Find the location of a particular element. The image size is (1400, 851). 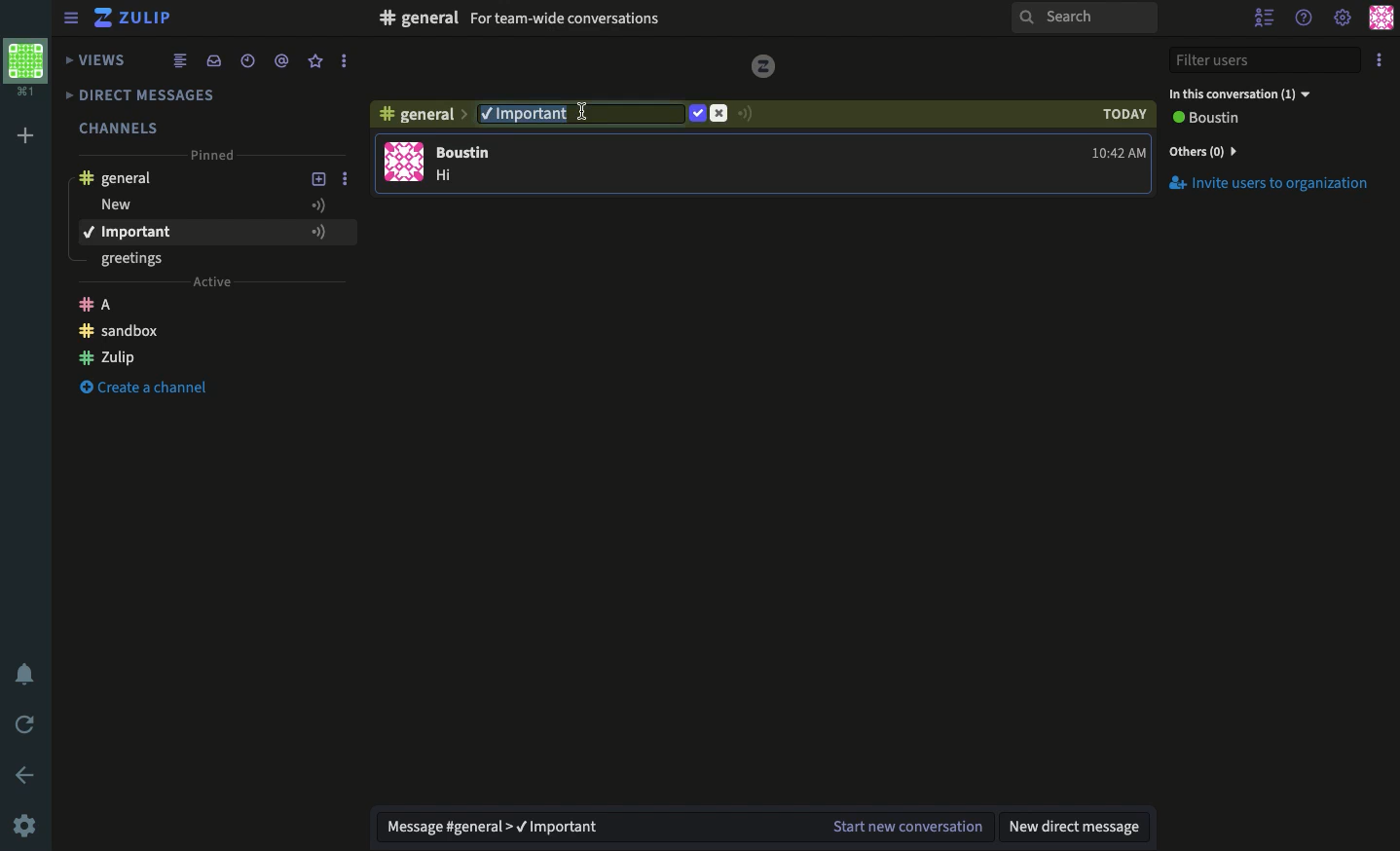

today is located at coordinates (1124, 115).